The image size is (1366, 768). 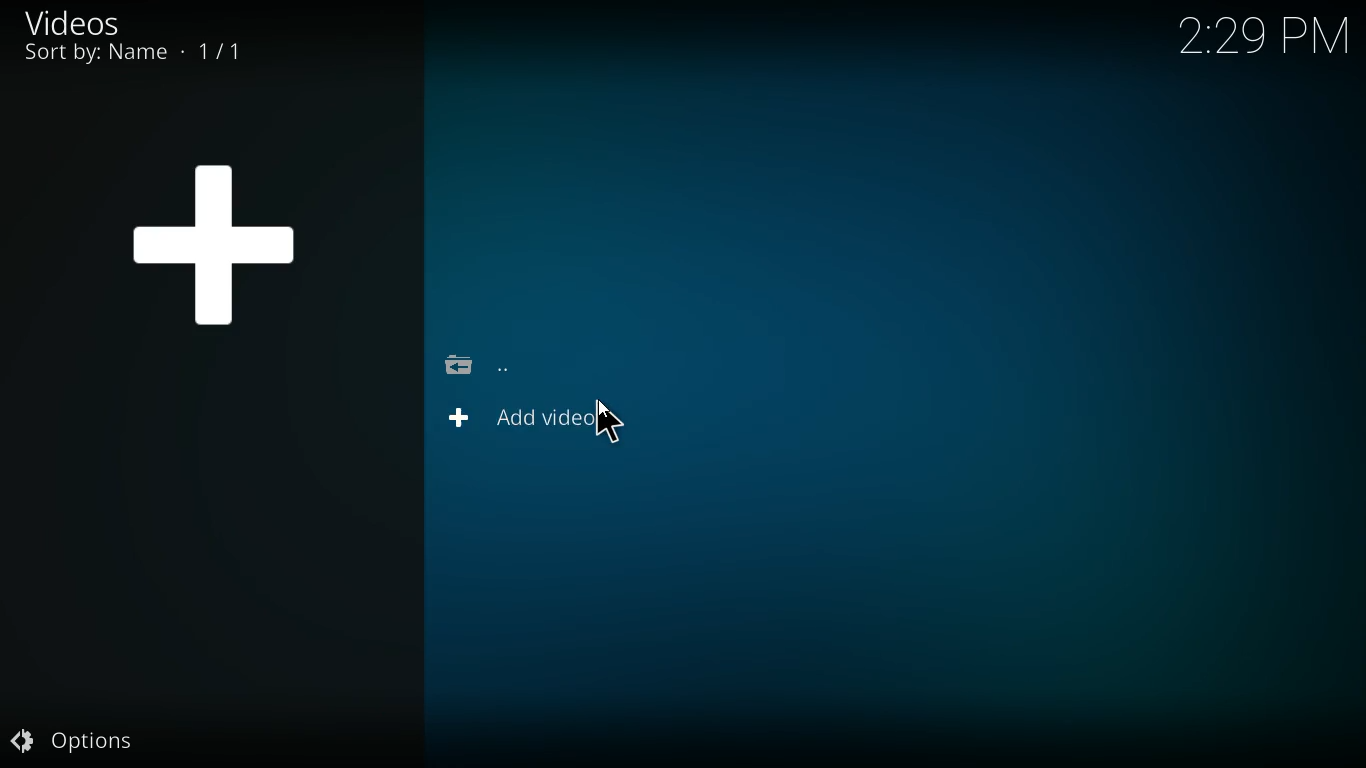 What do you see at coordinates (217, 237) in the screenshot?
I see ` +` at bounding box center [217, 237].